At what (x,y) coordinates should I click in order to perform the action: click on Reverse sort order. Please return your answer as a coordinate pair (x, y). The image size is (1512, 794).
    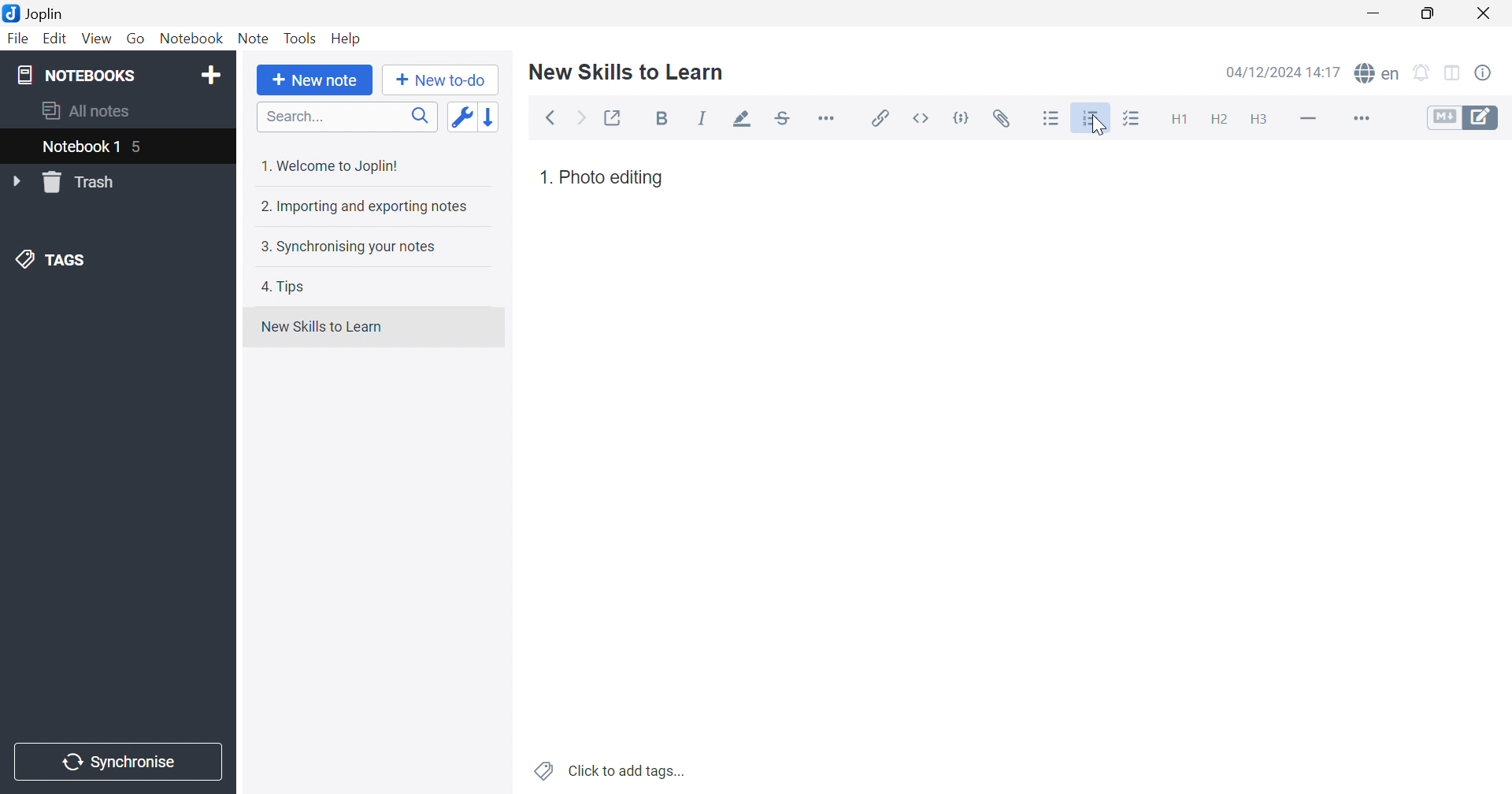
    Looking at the image, I should click on (492, 117).